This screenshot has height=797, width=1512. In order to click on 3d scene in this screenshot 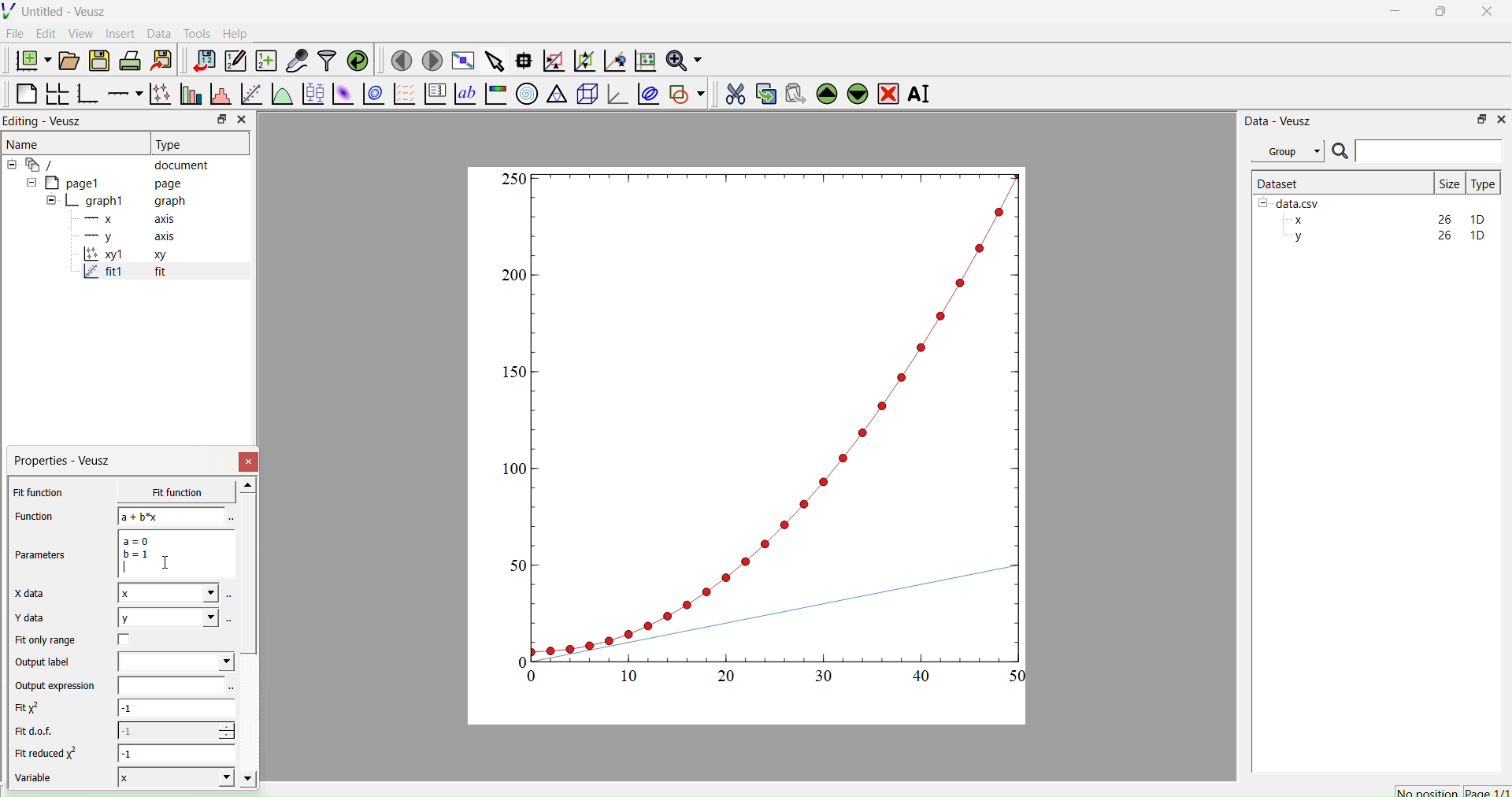, I will do `click(585, 91)`.